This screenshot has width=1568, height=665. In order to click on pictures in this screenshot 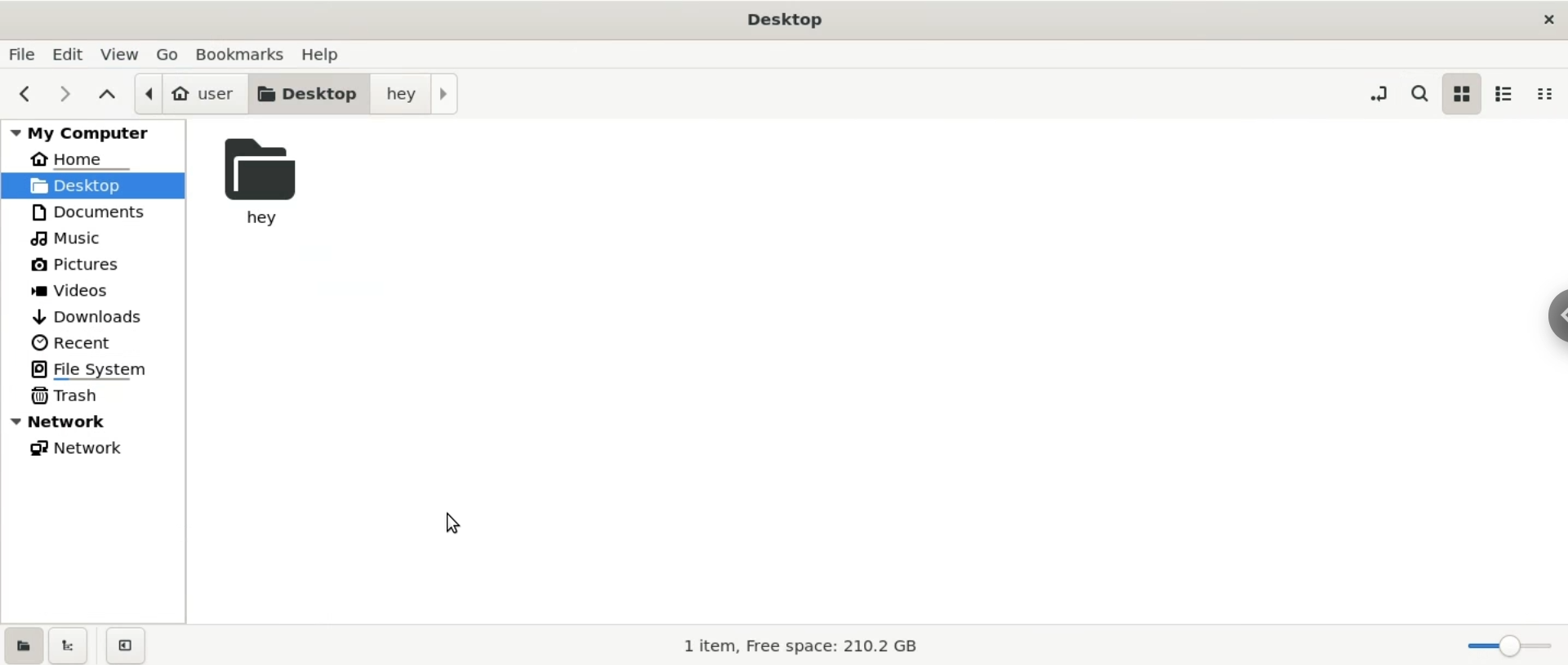, I will do `click(100, 263)`.